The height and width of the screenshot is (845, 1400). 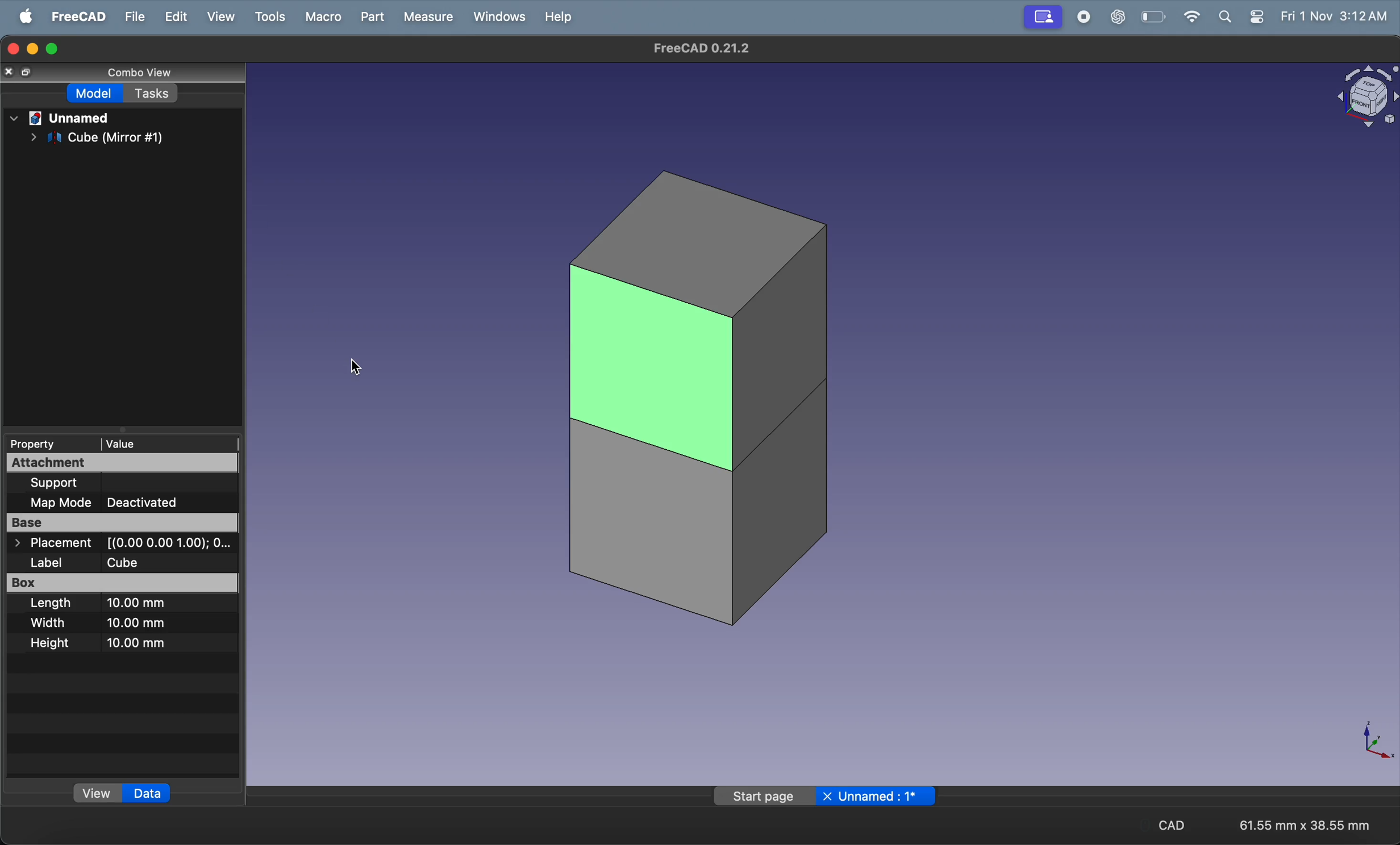 I want to click on data, so click(x=148, y=792).